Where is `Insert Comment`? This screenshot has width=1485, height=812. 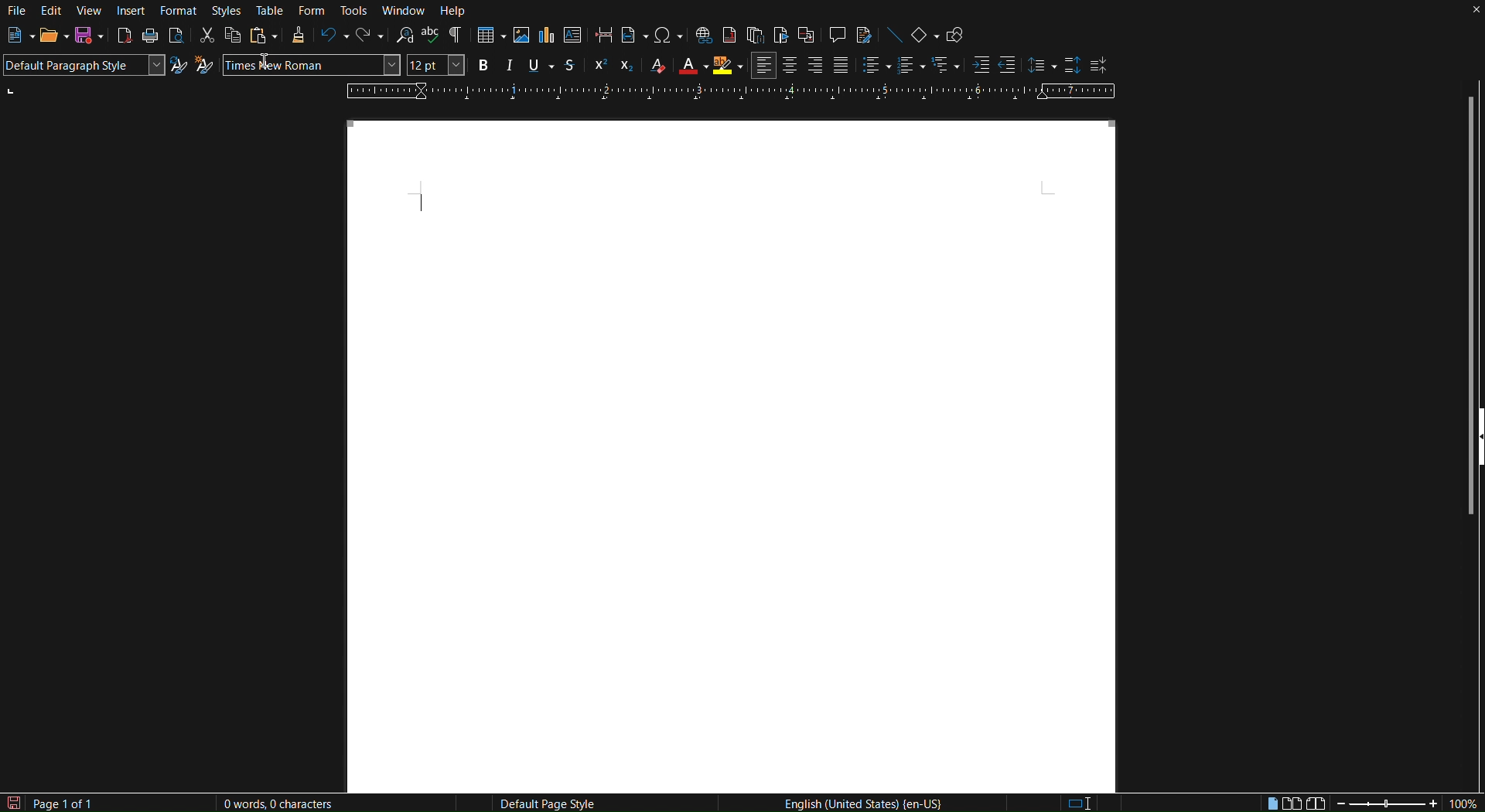 Insert Comment is located at coordinates (835, 37).